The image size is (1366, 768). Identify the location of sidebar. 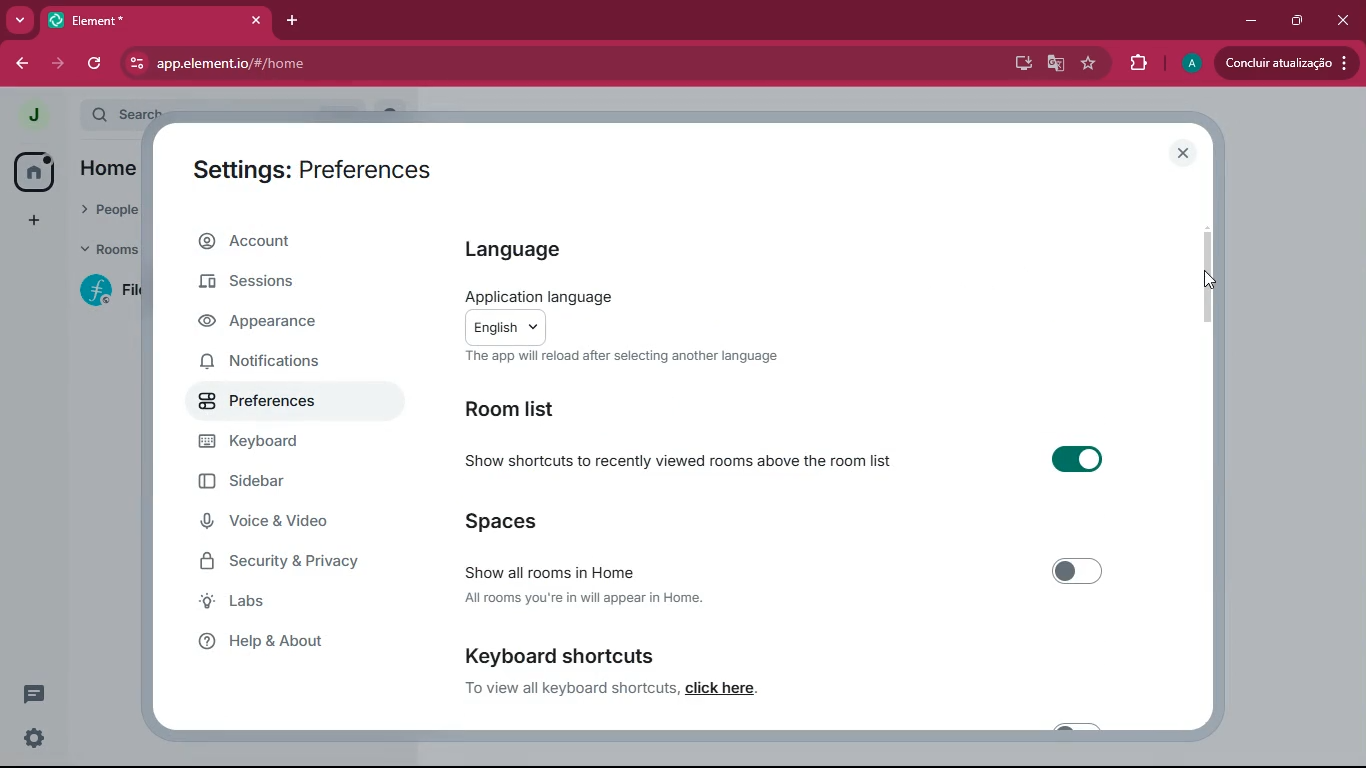
(272, 482).